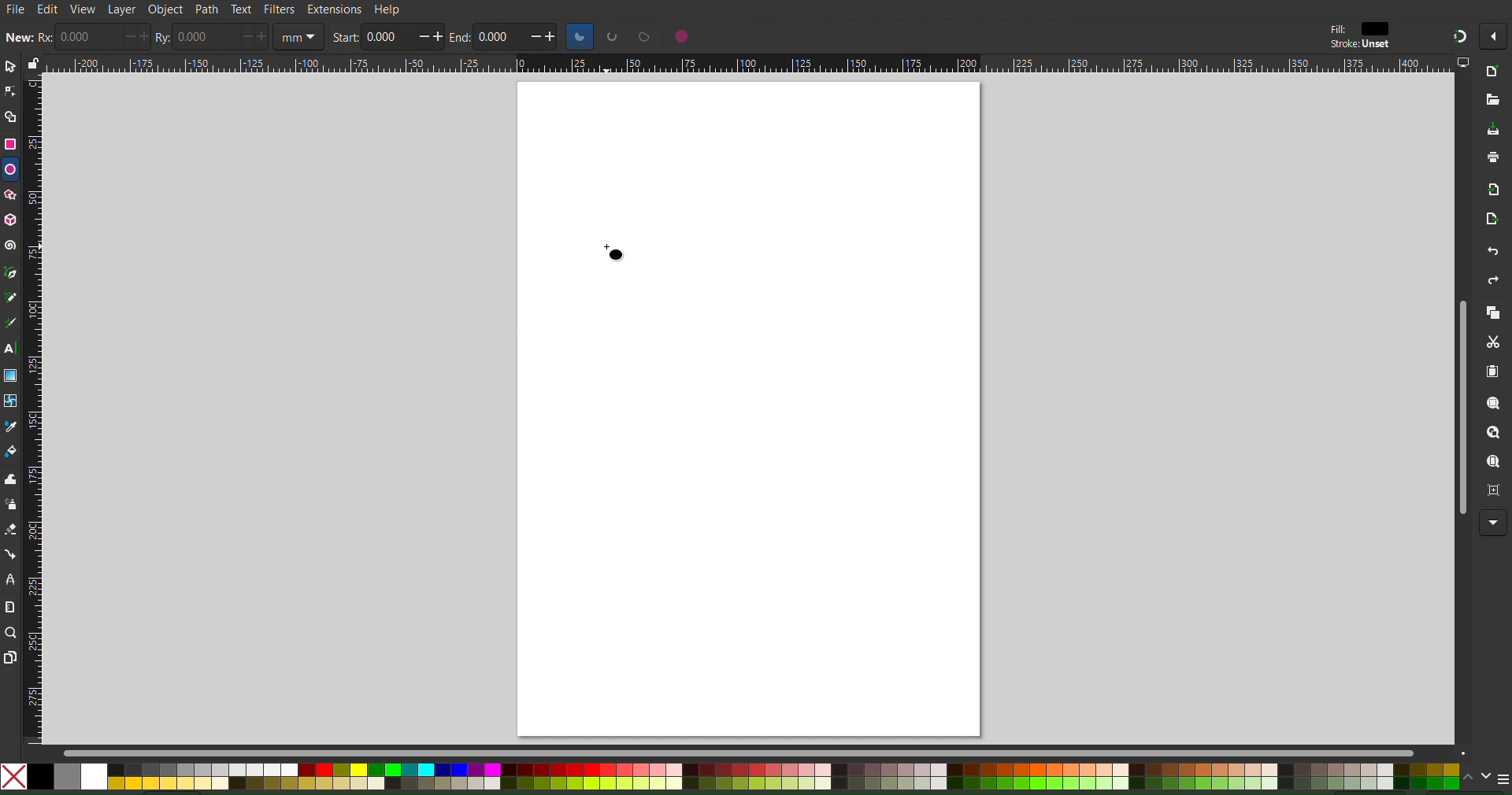 Image resolution: width=1512 pixels, height=795 pixels. I want to click on Pages, so click(10, 655).